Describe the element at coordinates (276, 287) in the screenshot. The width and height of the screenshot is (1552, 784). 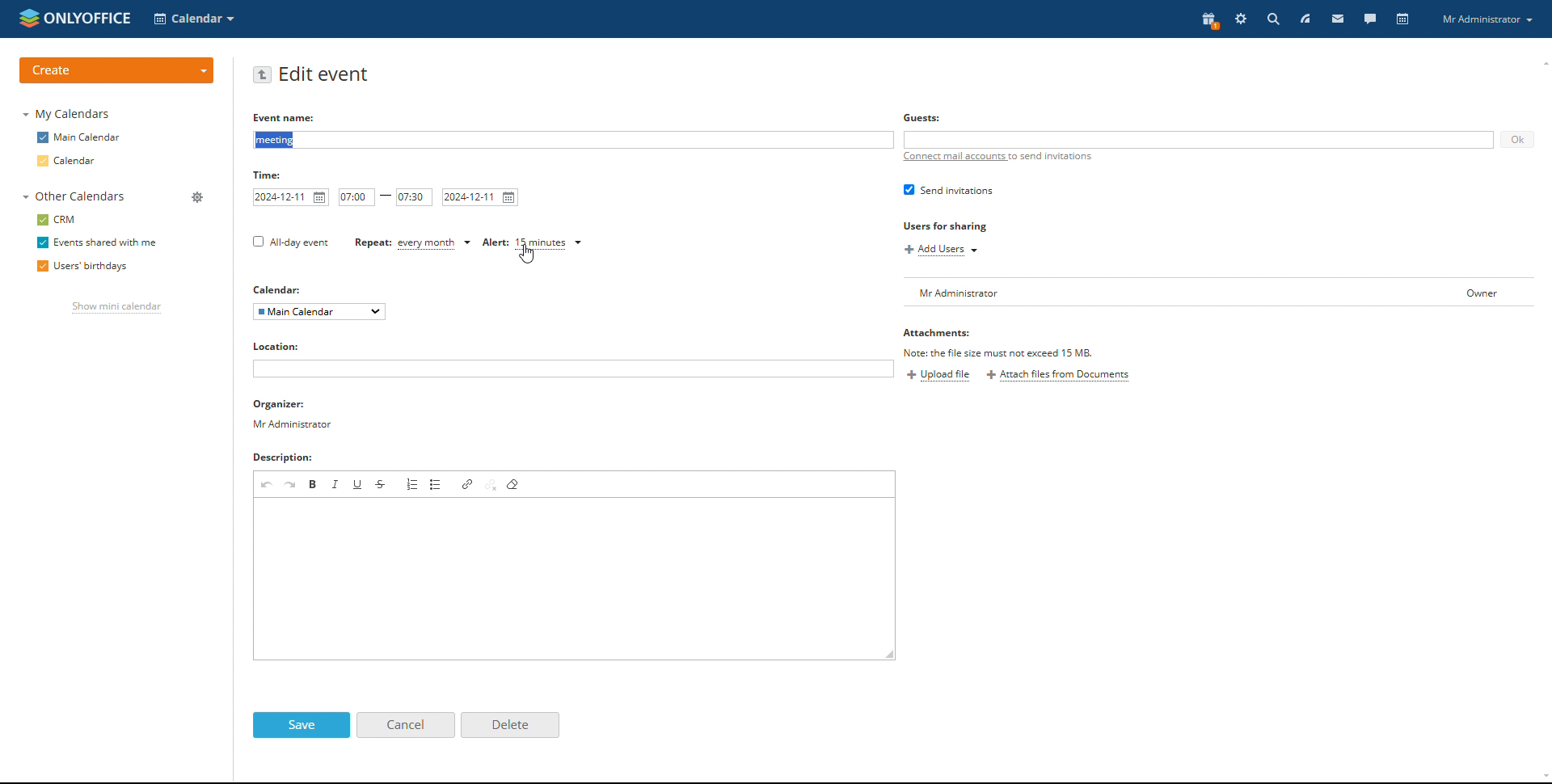
I see `Calendar:` at that location.